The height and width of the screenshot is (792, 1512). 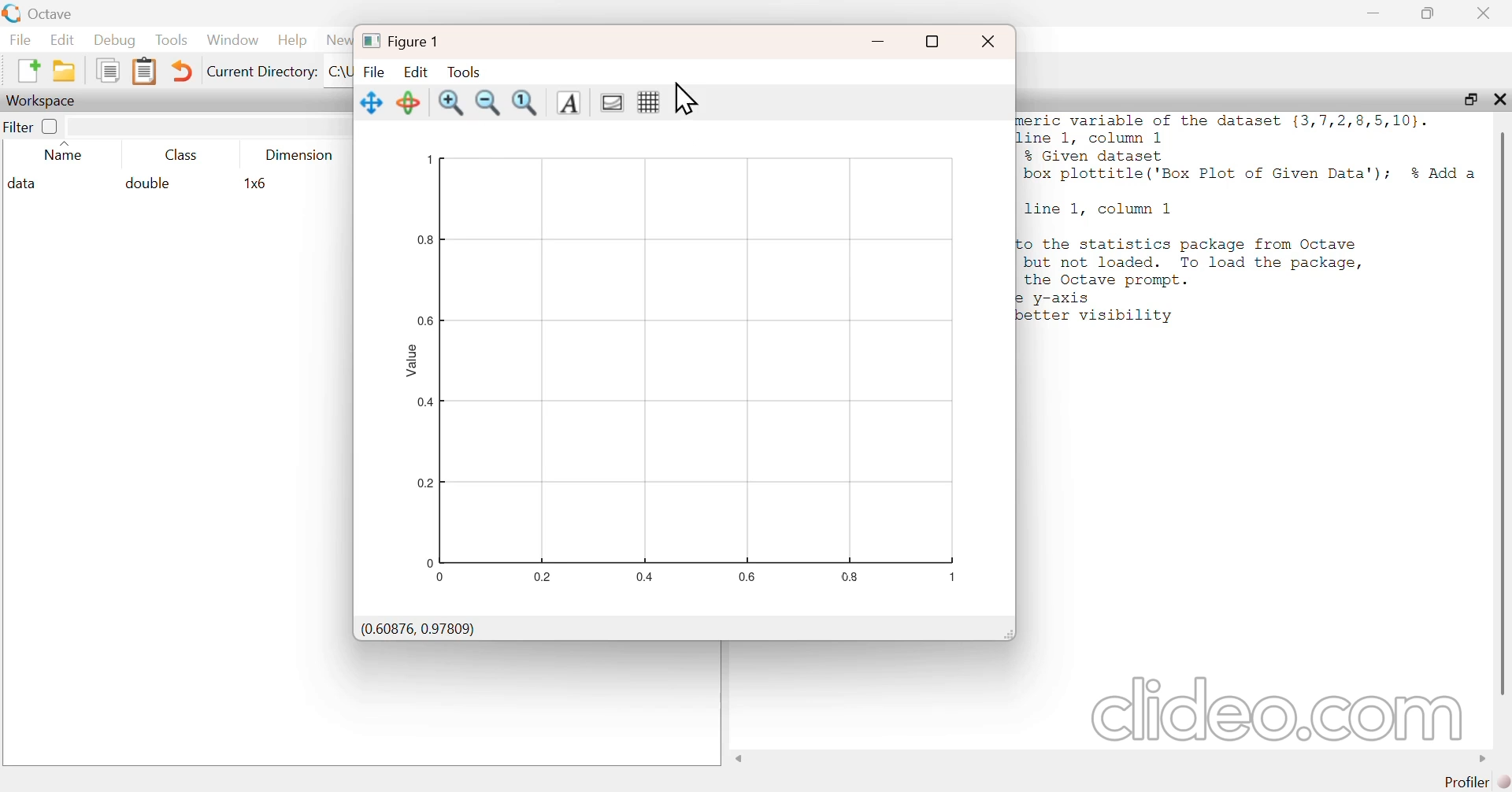 I want to click on maximize, so click(x=1465, y=99).